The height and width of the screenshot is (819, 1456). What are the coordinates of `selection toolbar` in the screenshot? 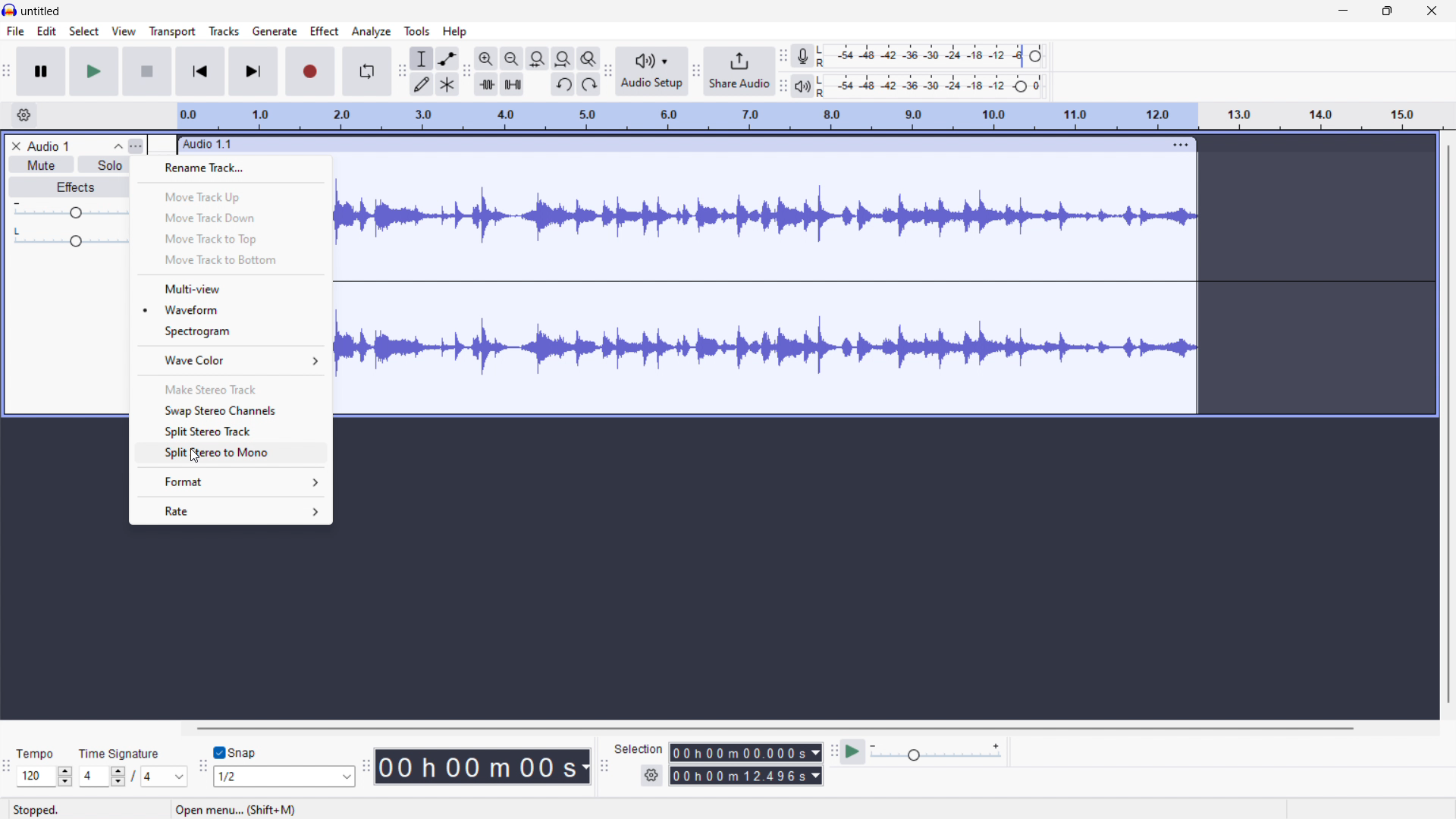 It's located at (604, 766).